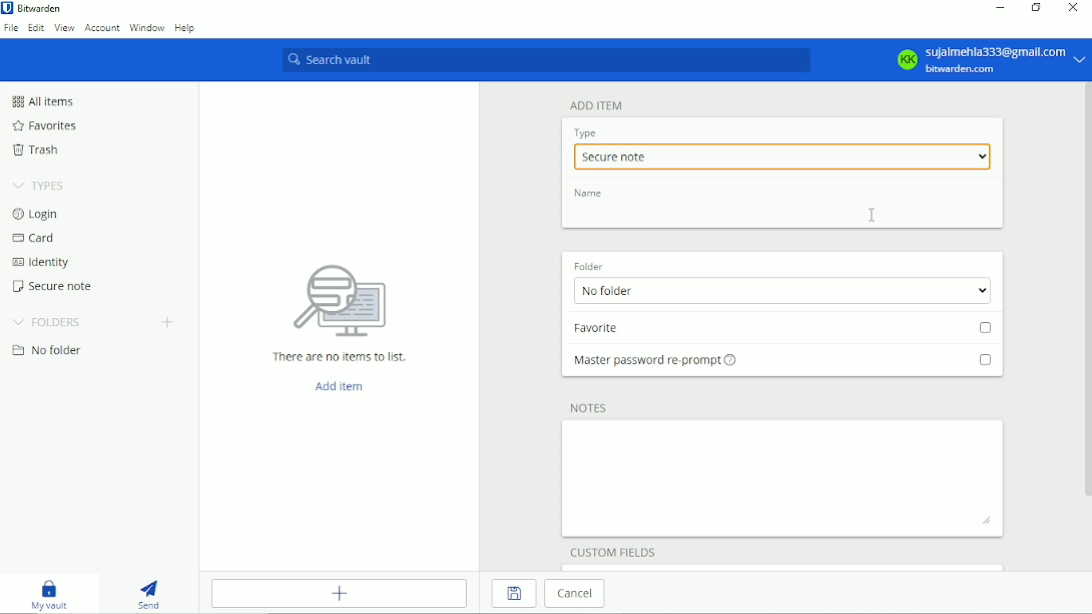 This screenshot has height=614, width=1092. Describe the element at coordinates (48, 321) in the screenshot. I see `Folders` at that location.